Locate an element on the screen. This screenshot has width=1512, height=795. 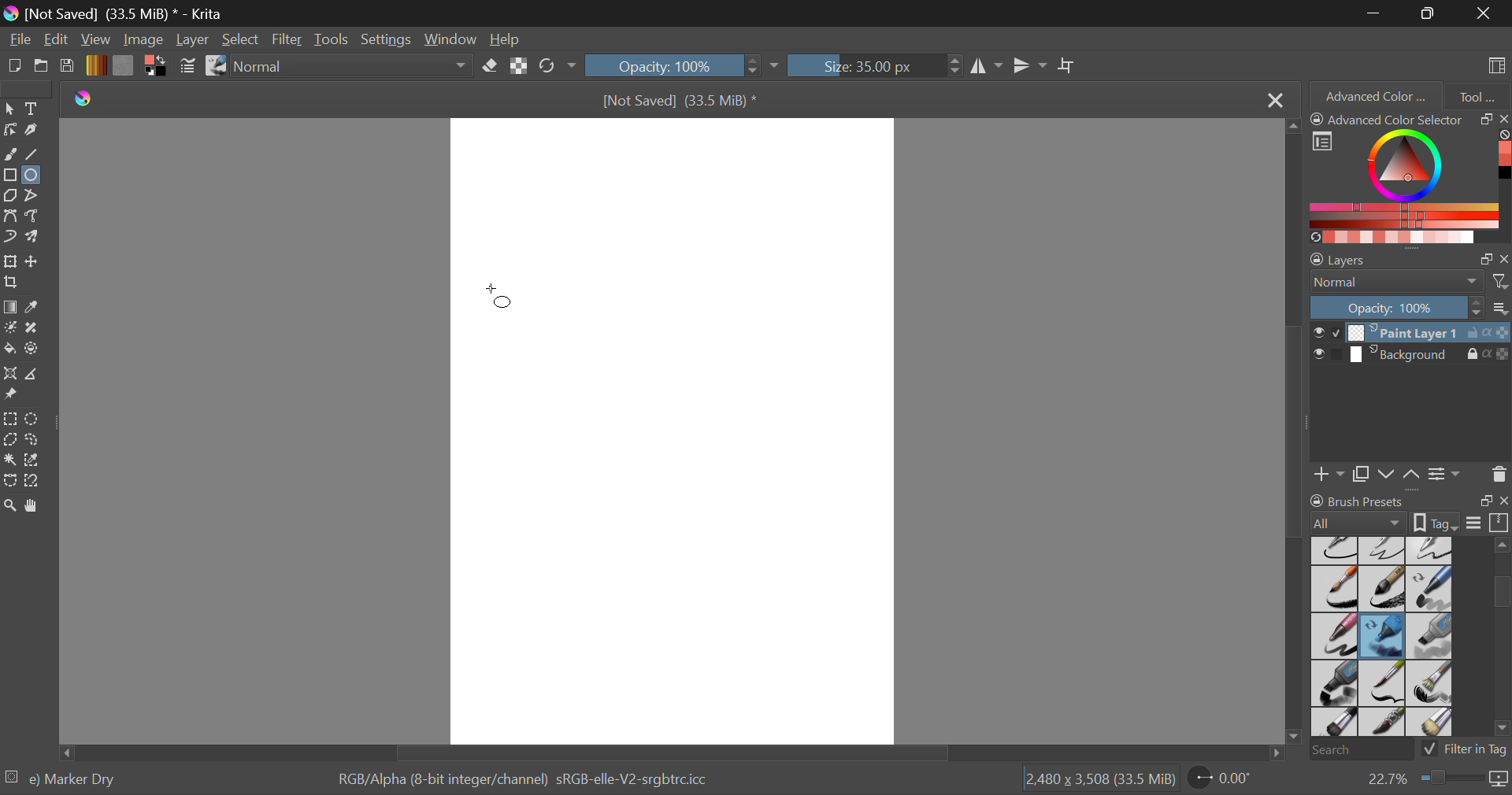
Select is located at coordinates (9, 109).